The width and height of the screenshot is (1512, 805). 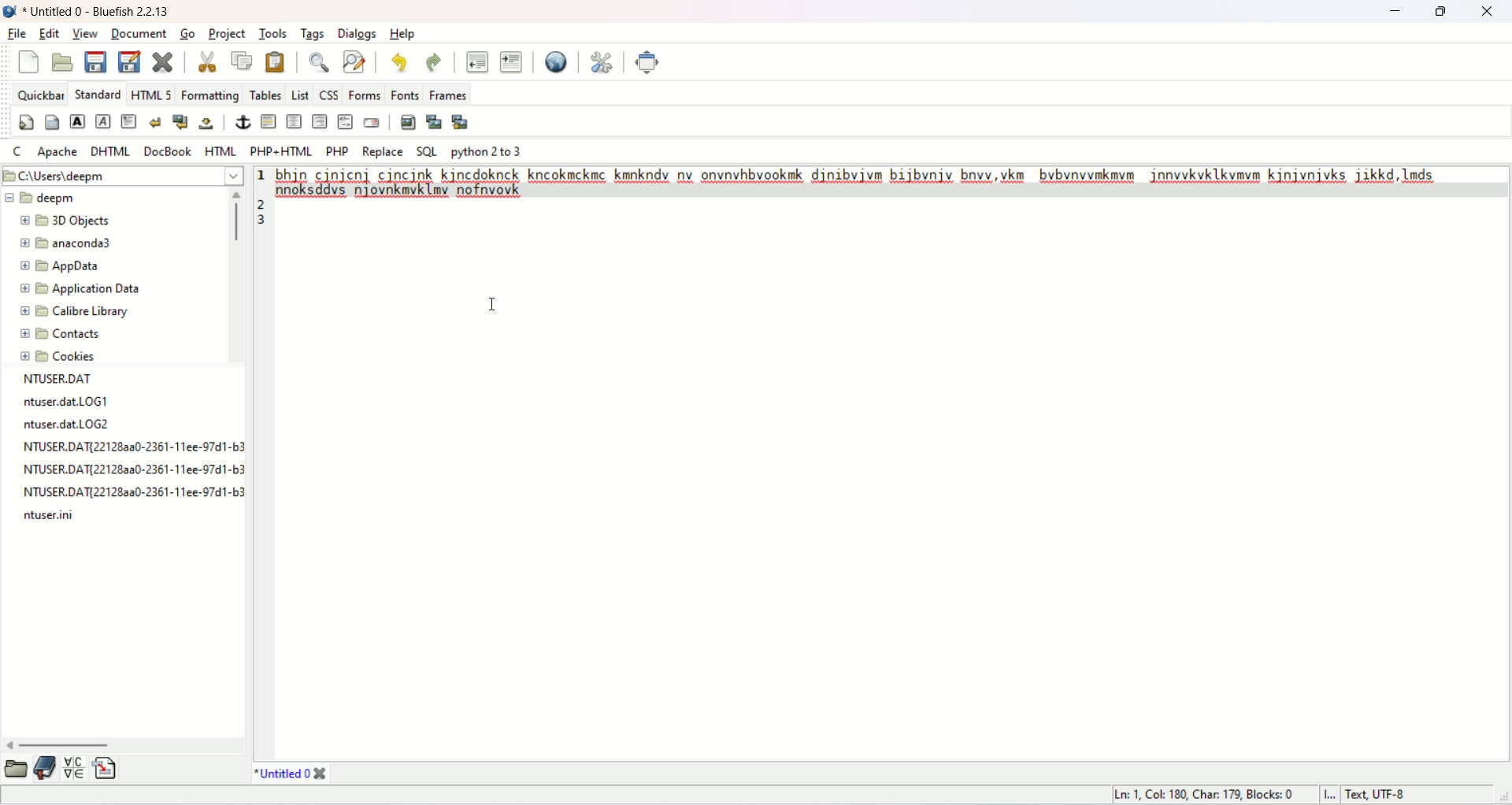 I want to click on python 2 to 3, so click(x=488, y=151).